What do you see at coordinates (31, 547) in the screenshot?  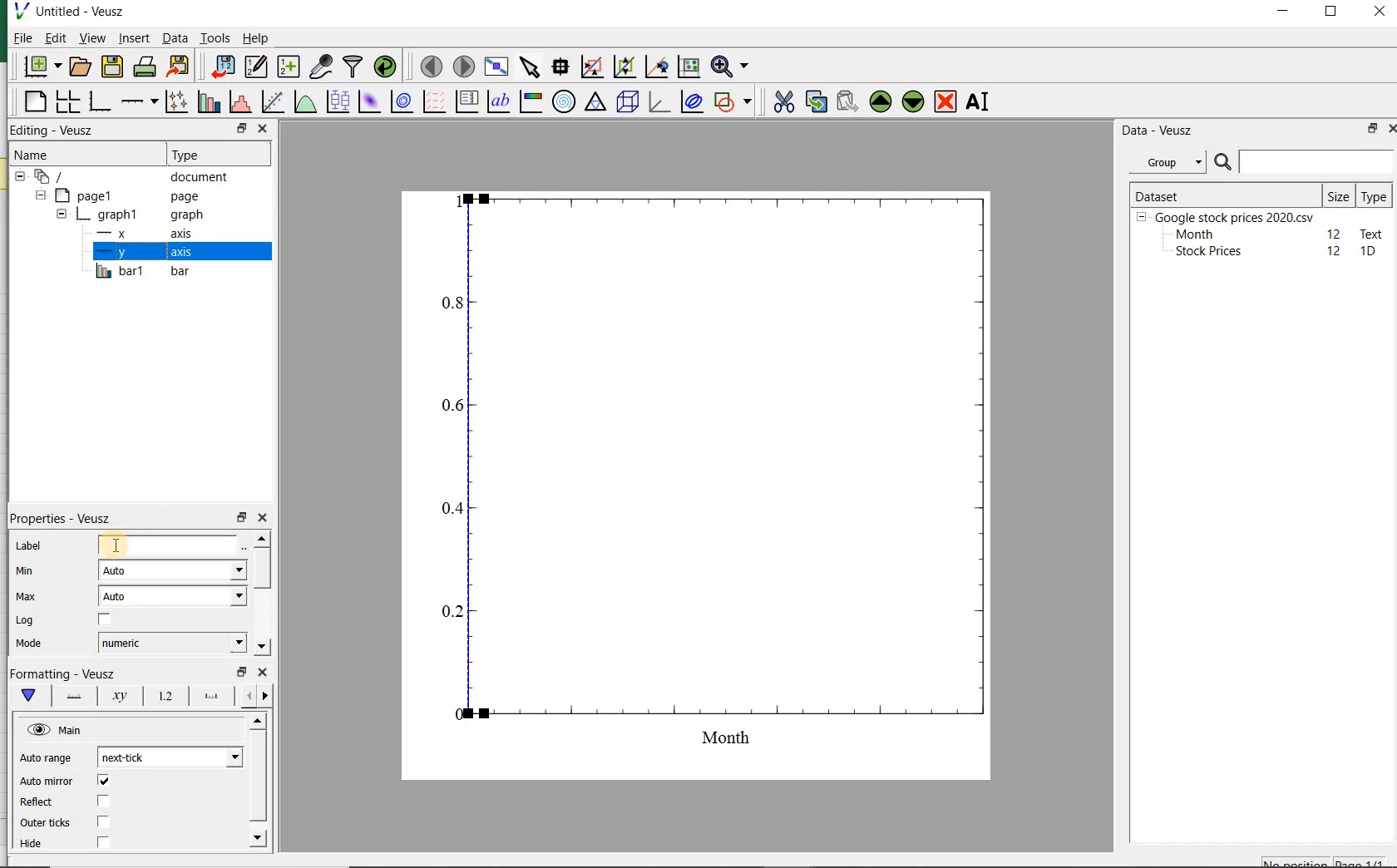 I see `Label` at bounding box center [31, 547].